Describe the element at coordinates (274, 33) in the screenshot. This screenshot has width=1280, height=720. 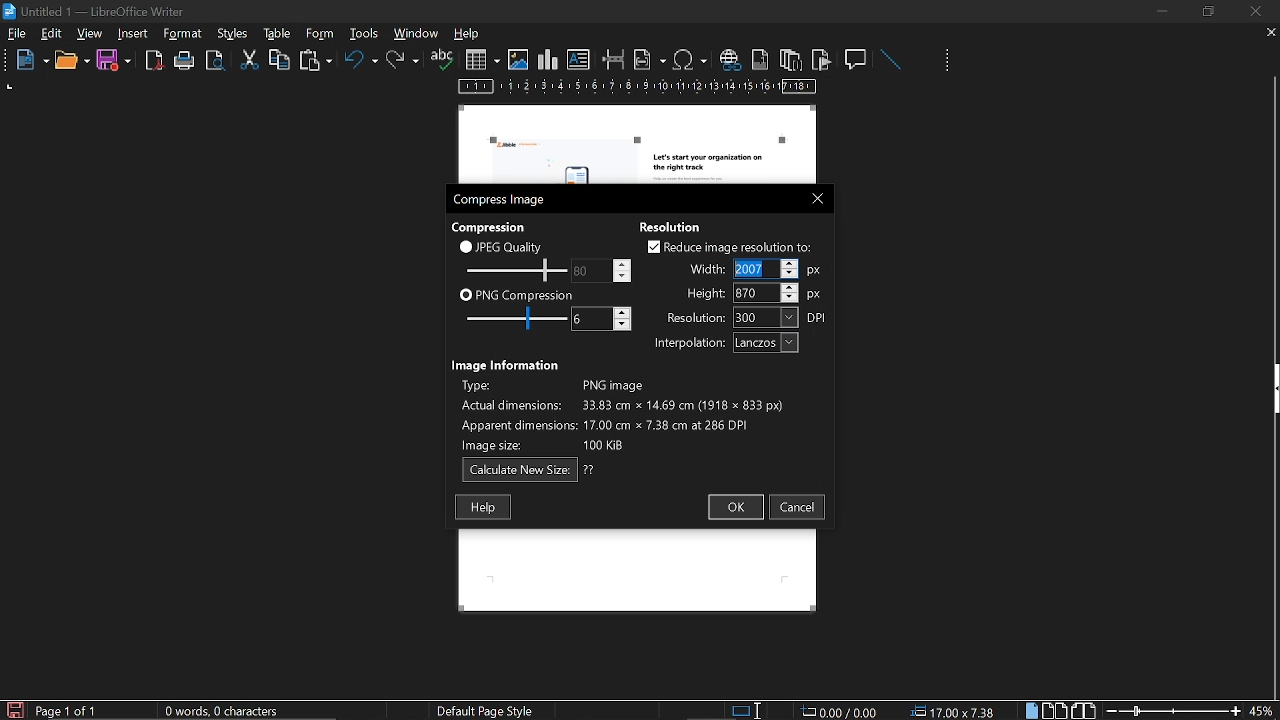
I see `styles` at that location.